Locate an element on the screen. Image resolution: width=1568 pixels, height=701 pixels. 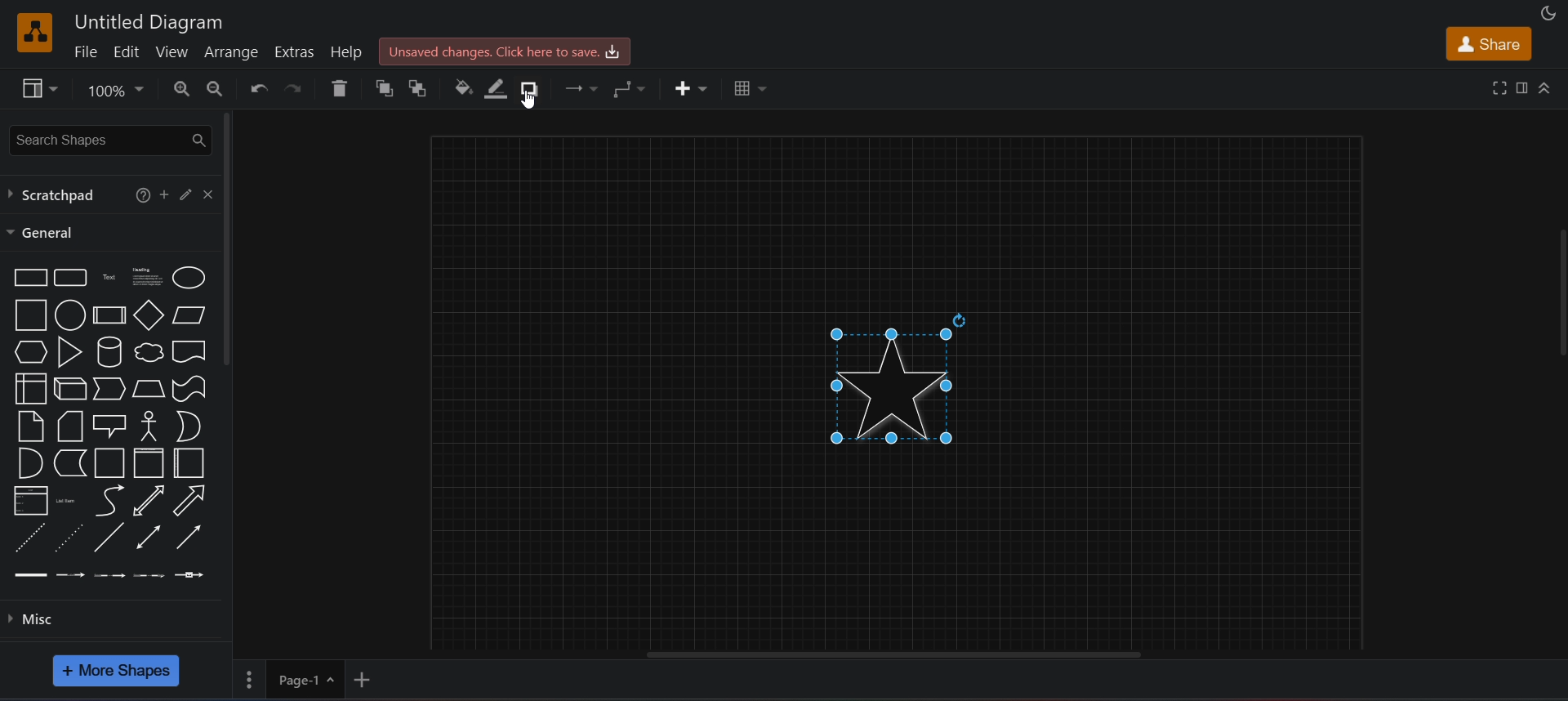
rounded rectangle is located at coordinates (71, 278).